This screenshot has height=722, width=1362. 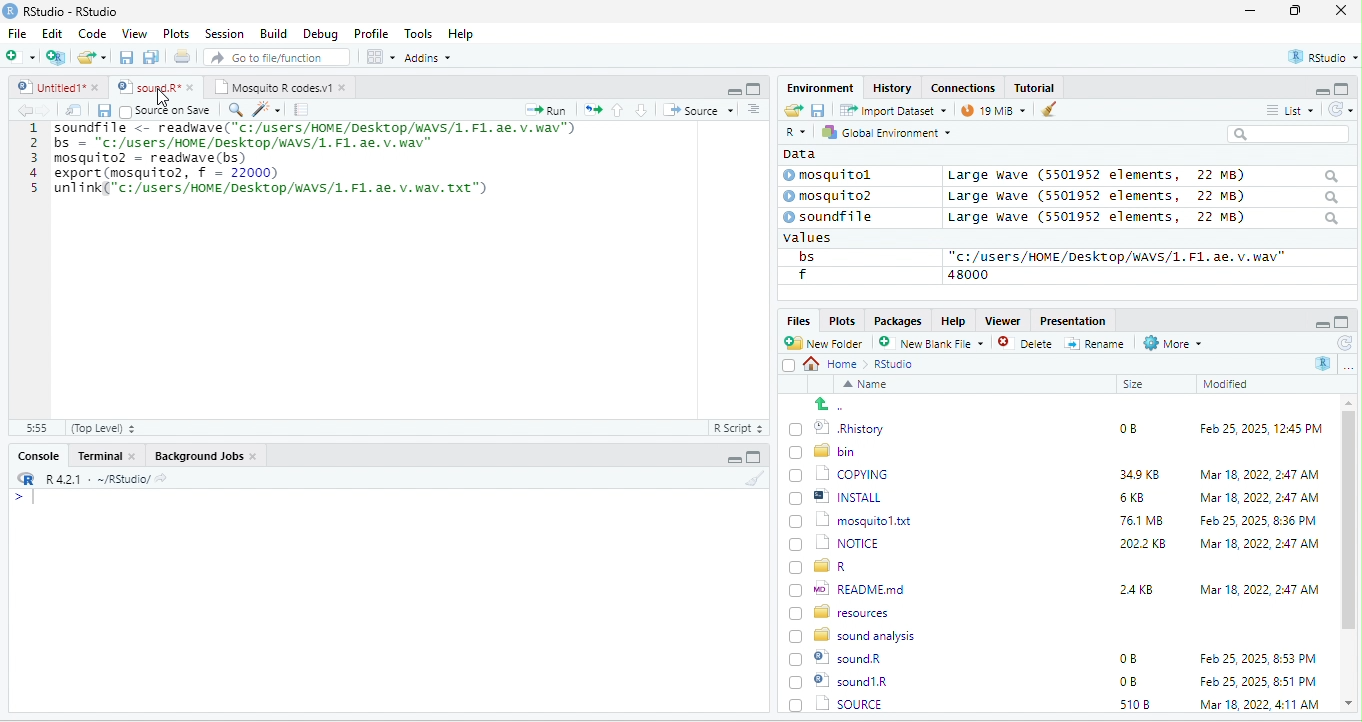 What do you see at coordinates (177, 33) in the screenshot?
I see `Plots` at bounding box center [177, 33].